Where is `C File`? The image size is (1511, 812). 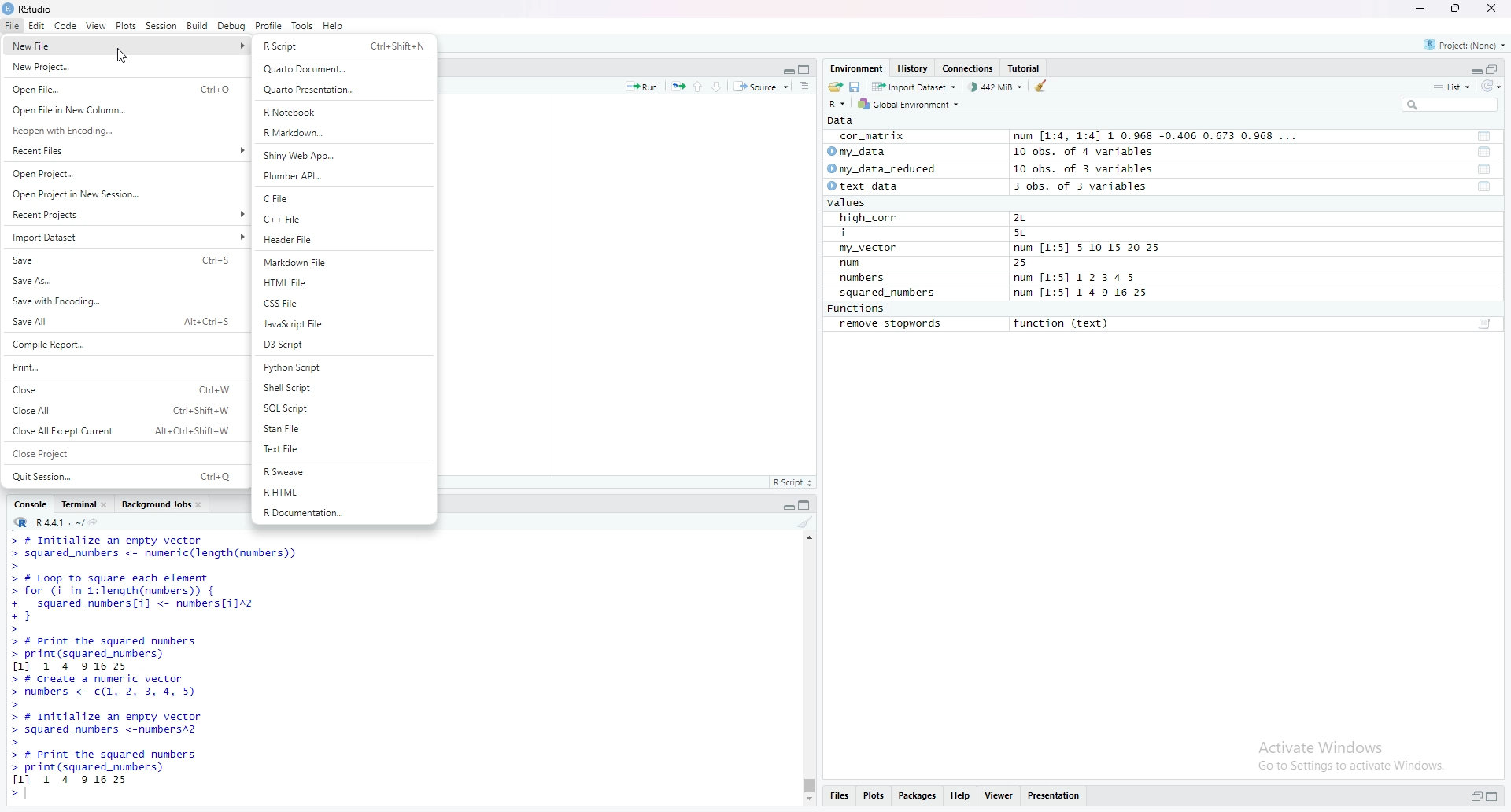
C File is located at coordinates (339, 199).